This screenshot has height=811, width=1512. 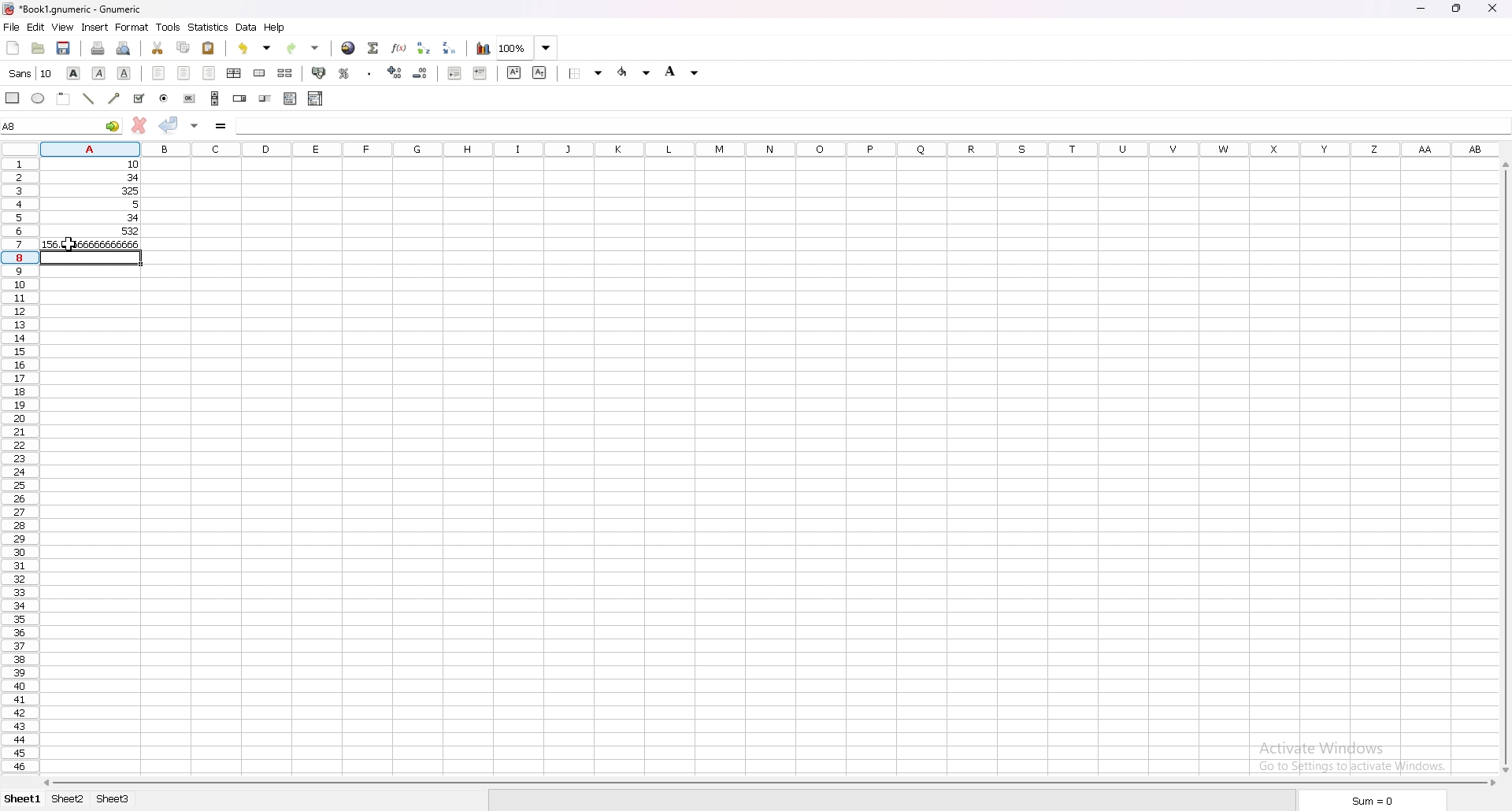 What do you see at coordinates (209, 27) in the screenshot?
I see `statistics` at bounding box center [209, 27].